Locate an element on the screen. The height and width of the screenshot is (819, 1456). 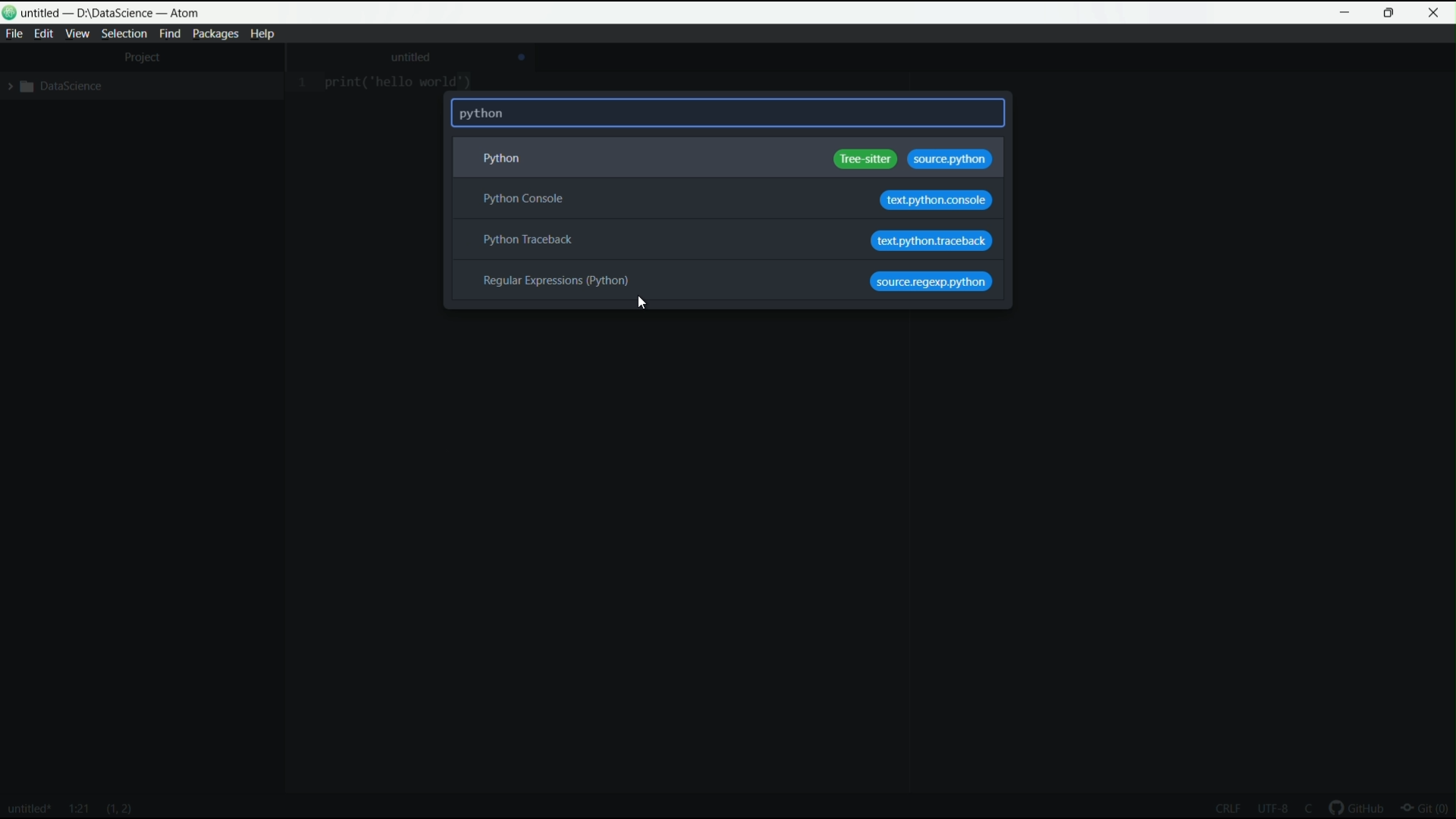
project is located at coordinates (144, 56).